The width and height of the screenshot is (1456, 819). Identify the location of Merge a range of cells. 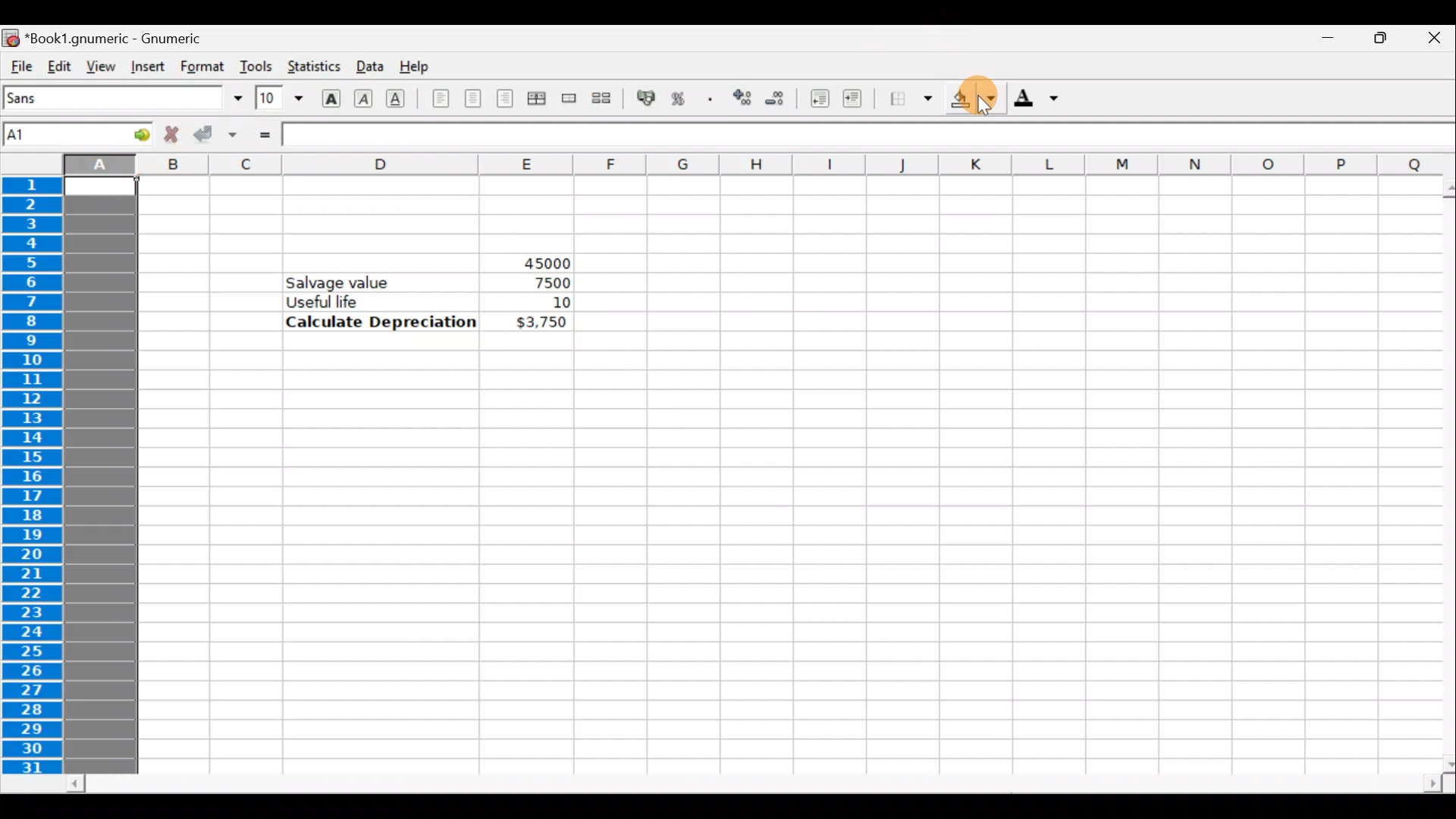
(570, 101).